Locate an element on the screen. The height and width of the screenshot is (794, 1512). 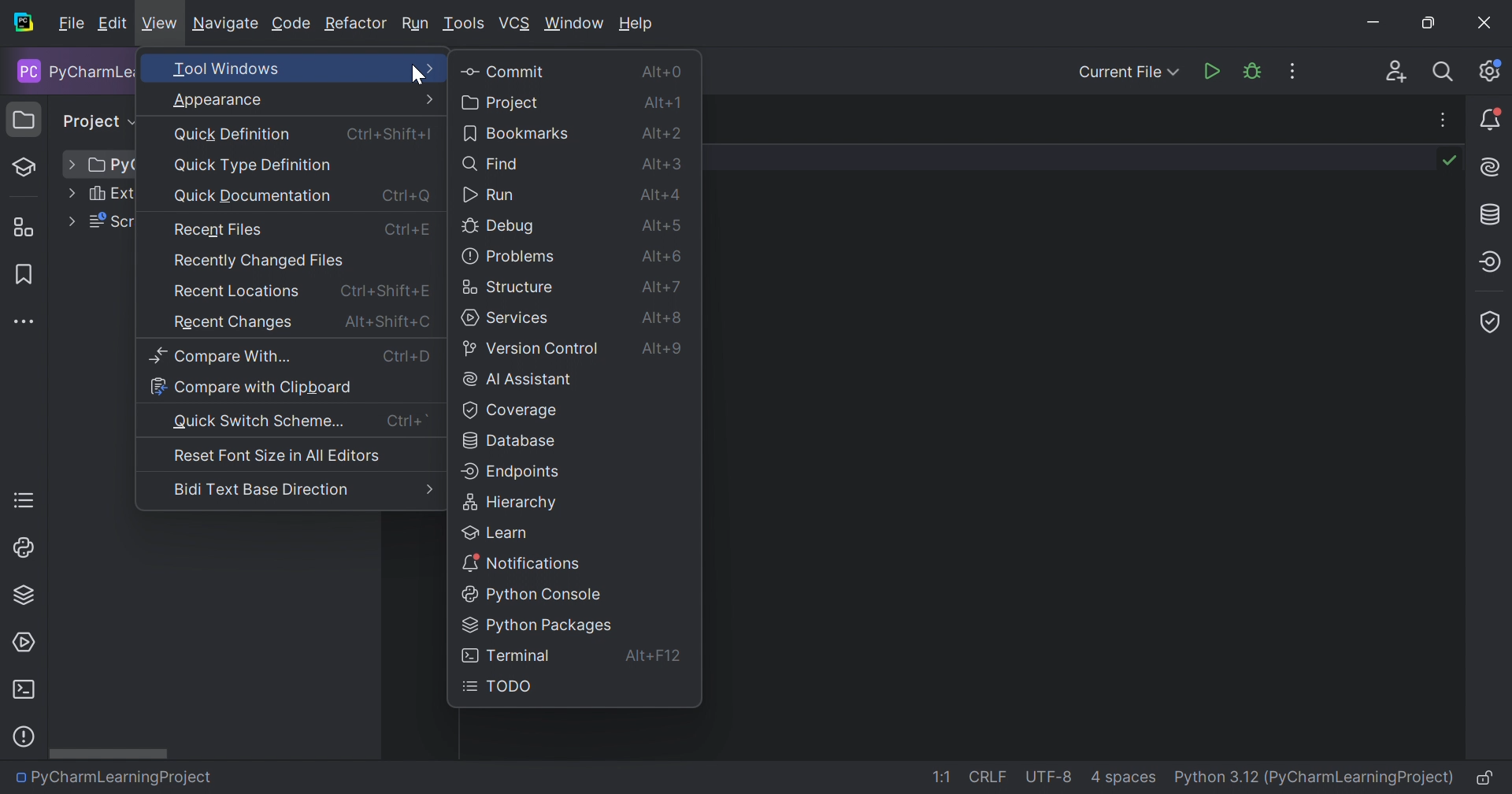
Learn is located at coordinates (31, 167).